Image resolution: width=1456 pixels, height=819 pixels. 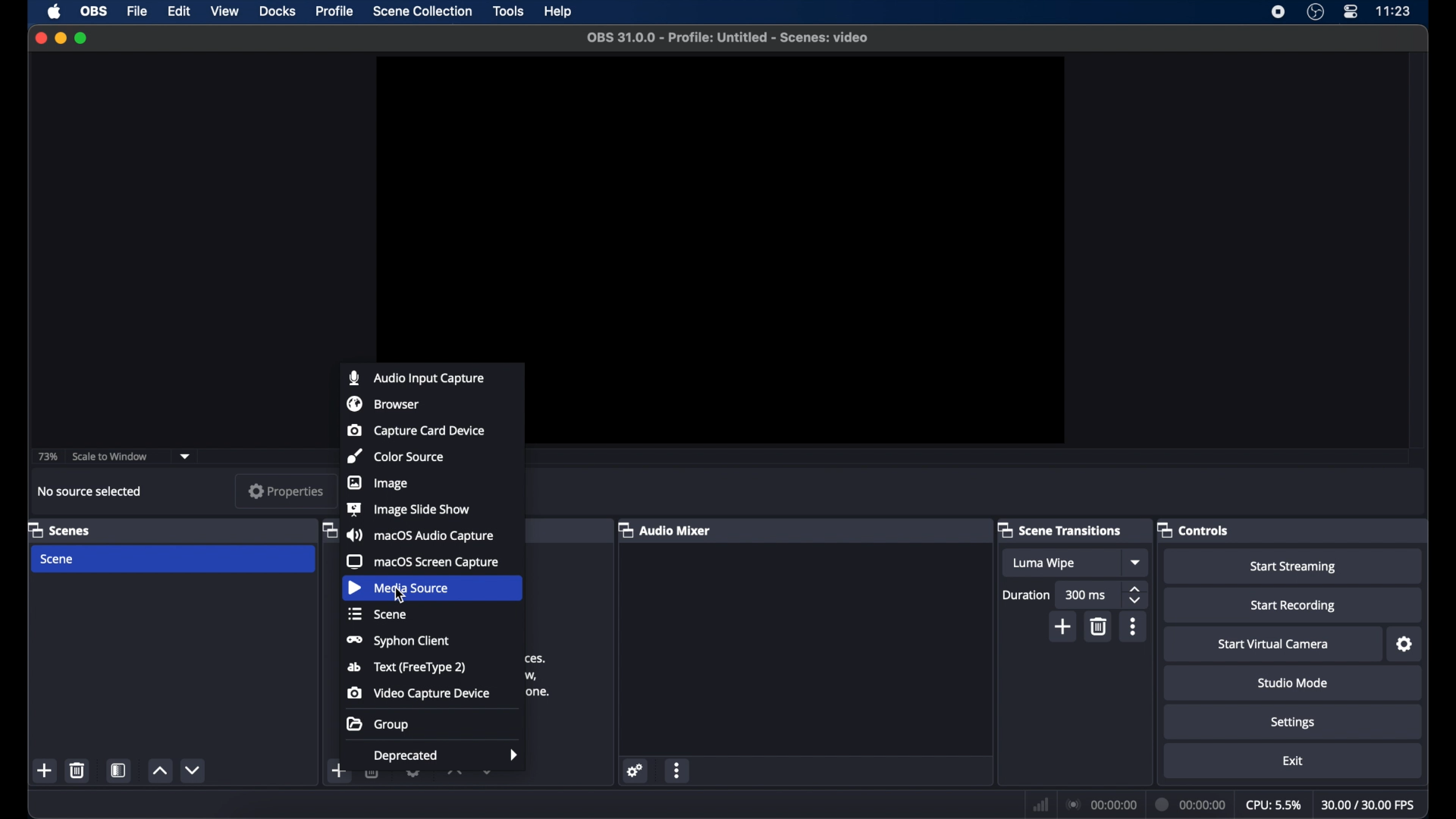 I want to click on obs studio, so click(x=1315, y=12).